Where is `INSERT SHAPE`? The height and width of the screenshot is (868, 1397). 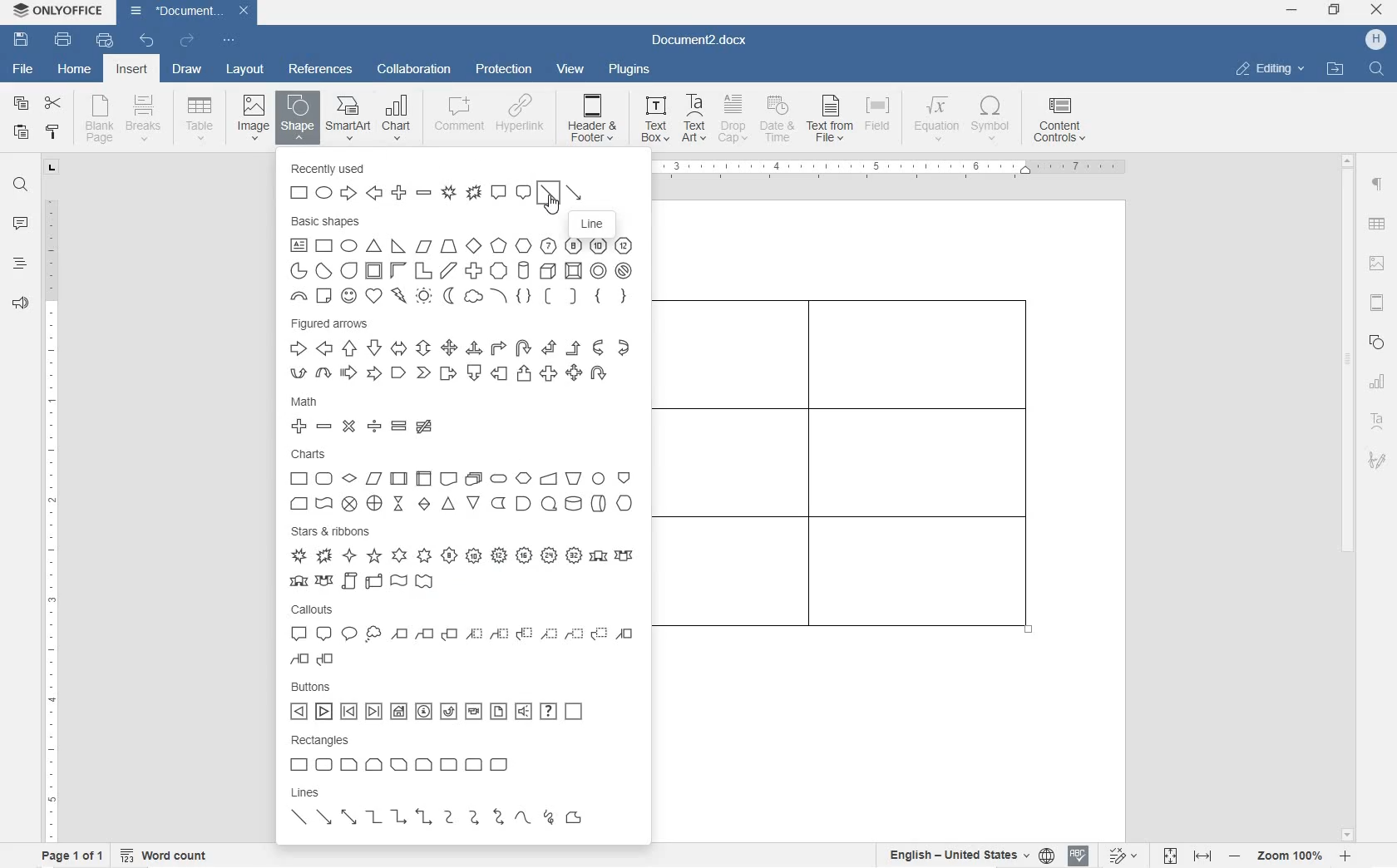
INSERT SHAPE is located at coordinates (297, 121).